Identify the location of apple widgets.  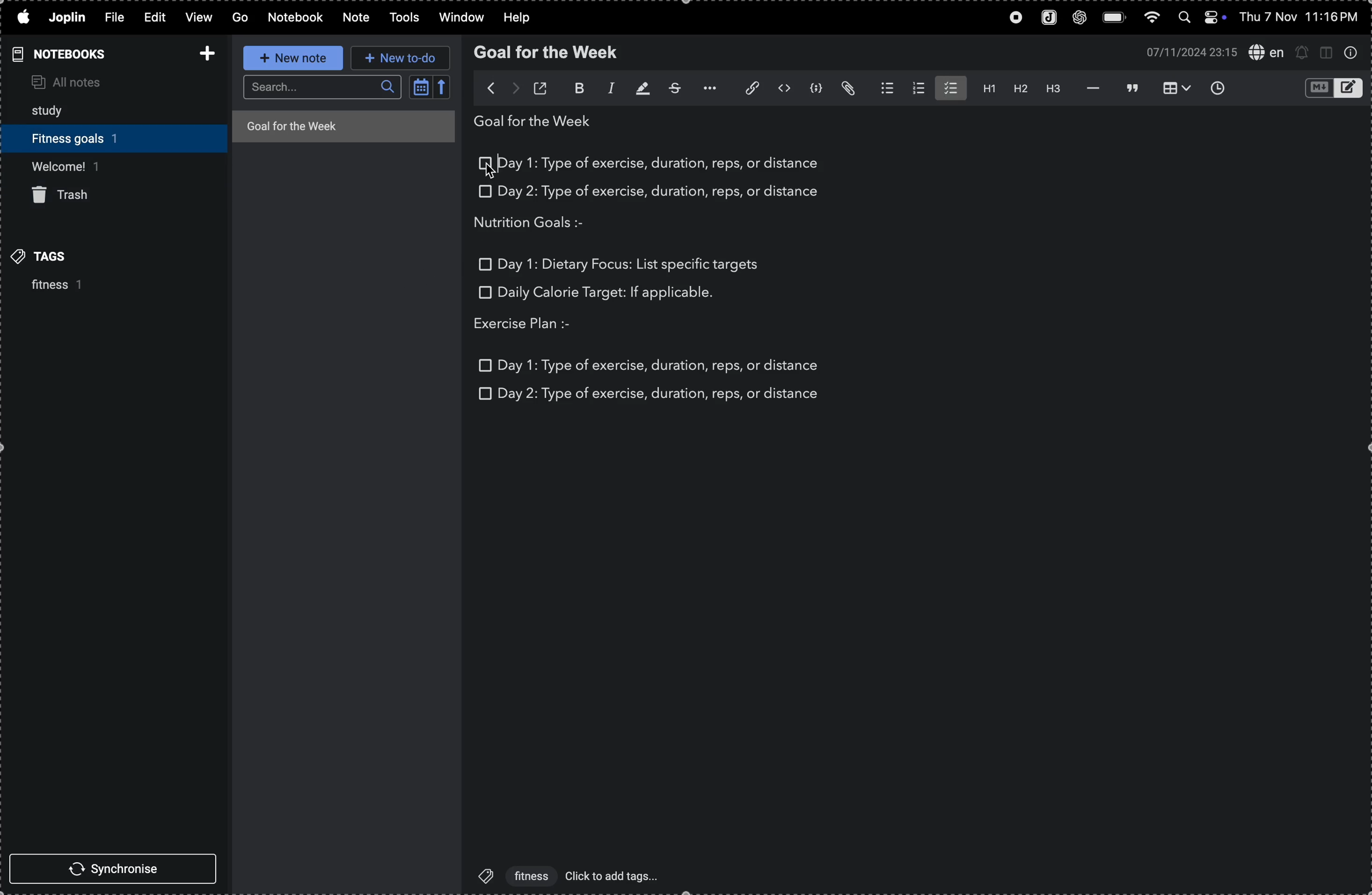
(1205, 17).